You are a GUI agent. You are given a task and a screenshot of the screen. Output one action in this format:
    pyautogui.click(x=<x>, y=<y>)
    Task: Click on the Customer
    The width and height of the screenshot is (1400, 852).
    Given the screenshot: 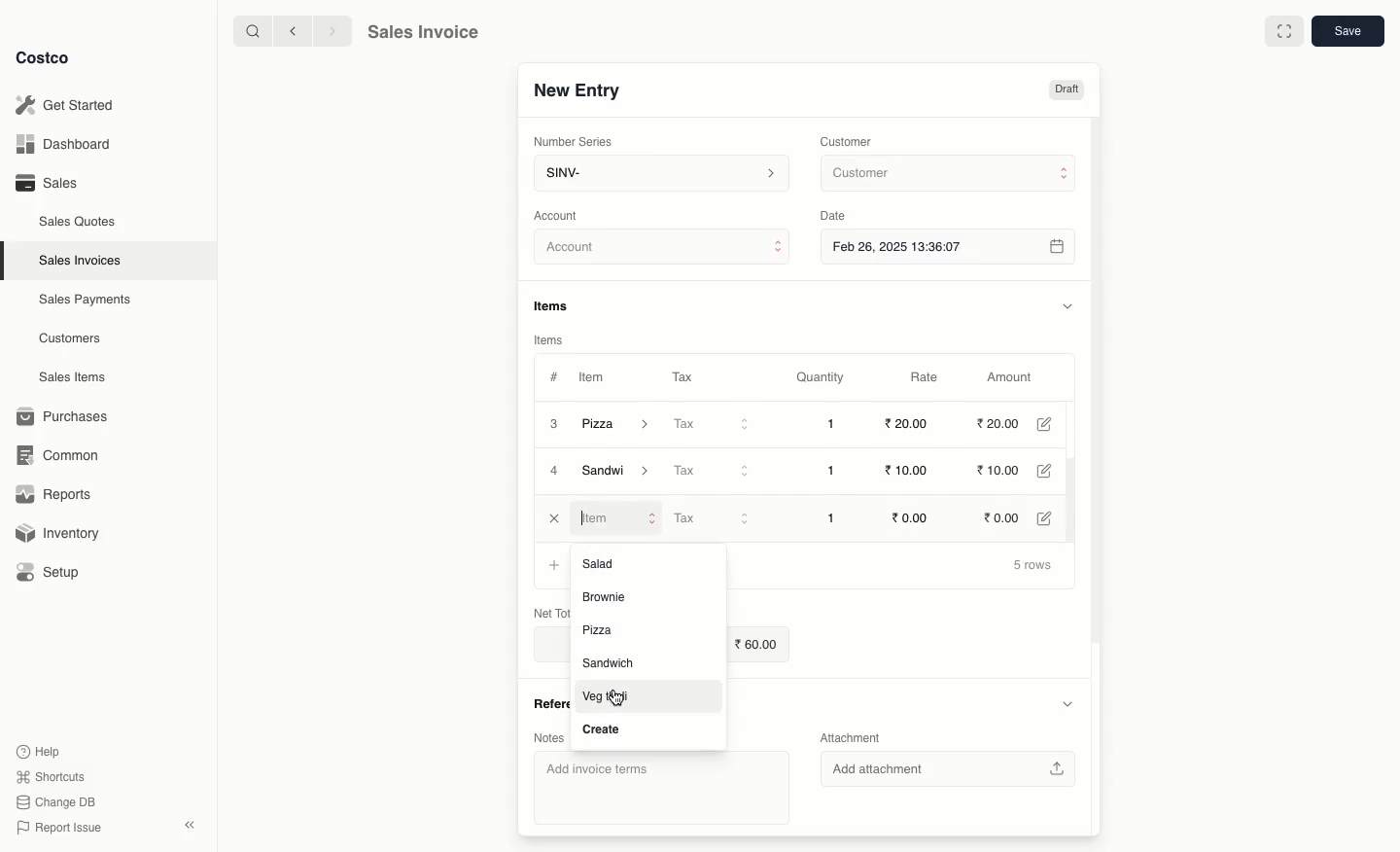 What is the action you would take?
    pyautogui.click(x=946, y=174)
    